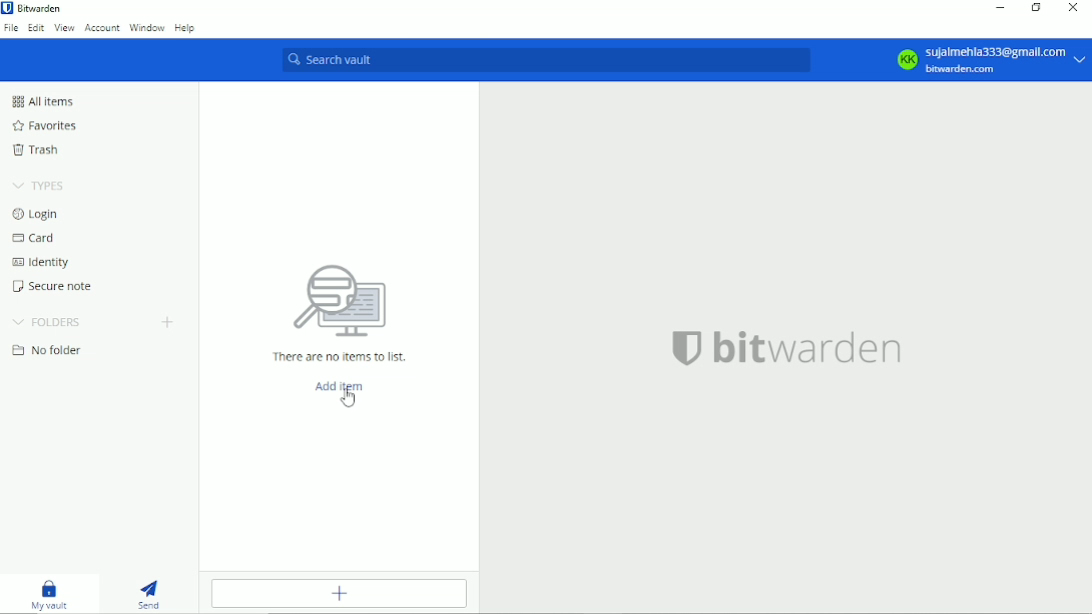  What do you see at coordinates (35, 238) in the screenshot?
I see `Card` at bounding box center [35, 238].